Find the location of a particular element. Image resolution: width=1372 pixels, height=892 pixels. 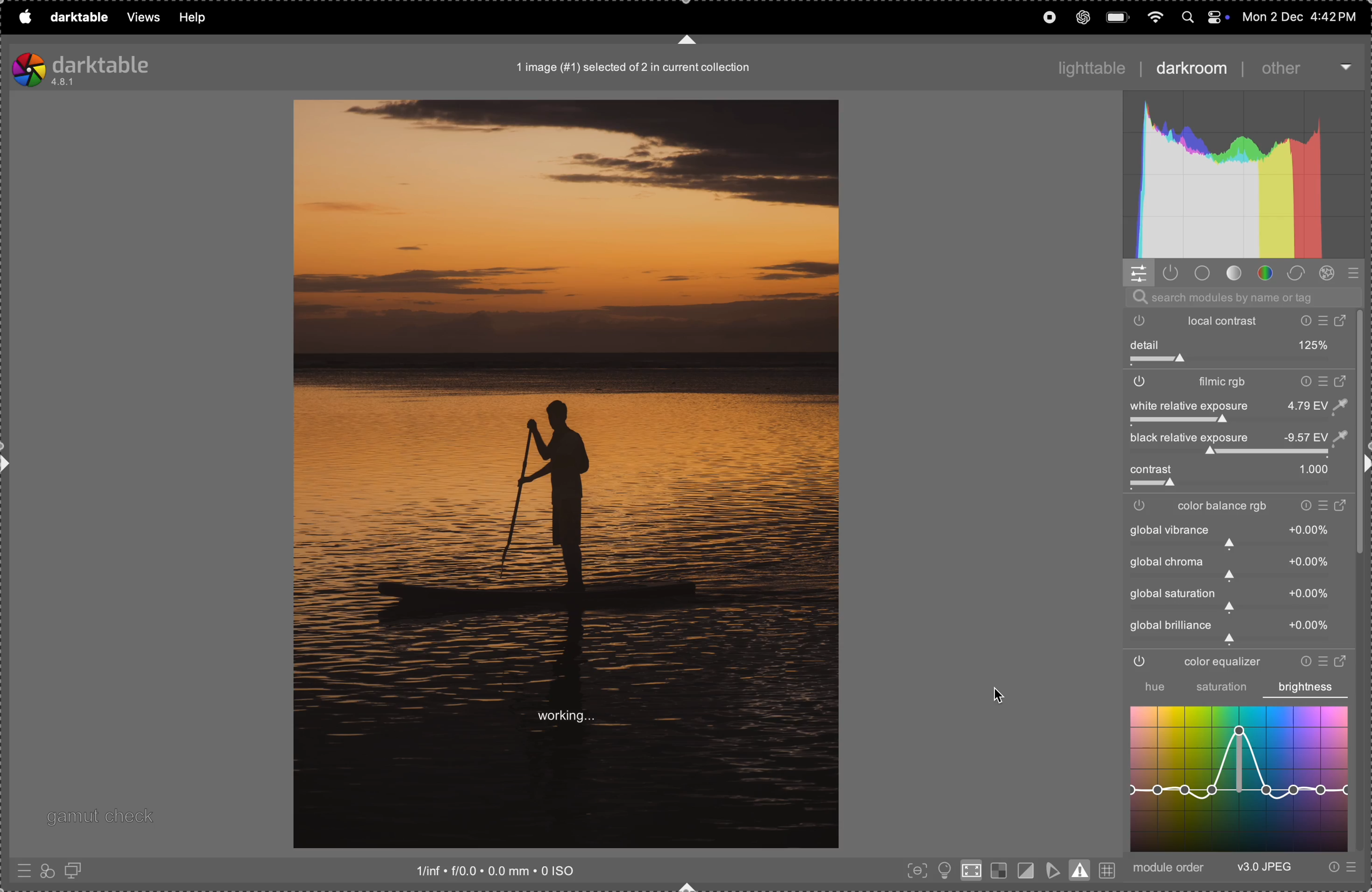

toggle focusing peak mode is located at coordinates (914, 871).